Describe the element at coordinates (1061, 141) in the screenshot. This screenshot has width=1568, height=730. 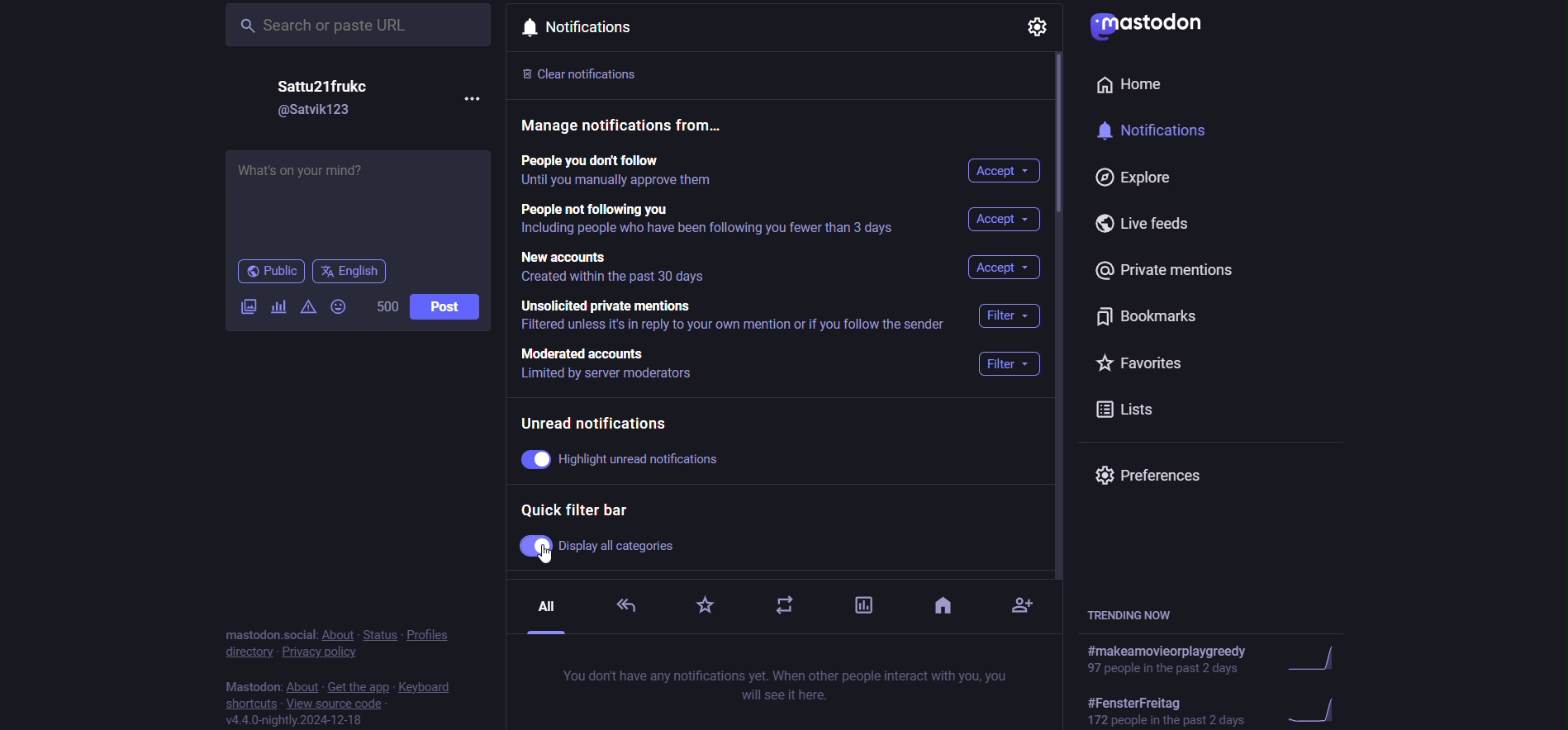
I see `scroll bar` at that location.